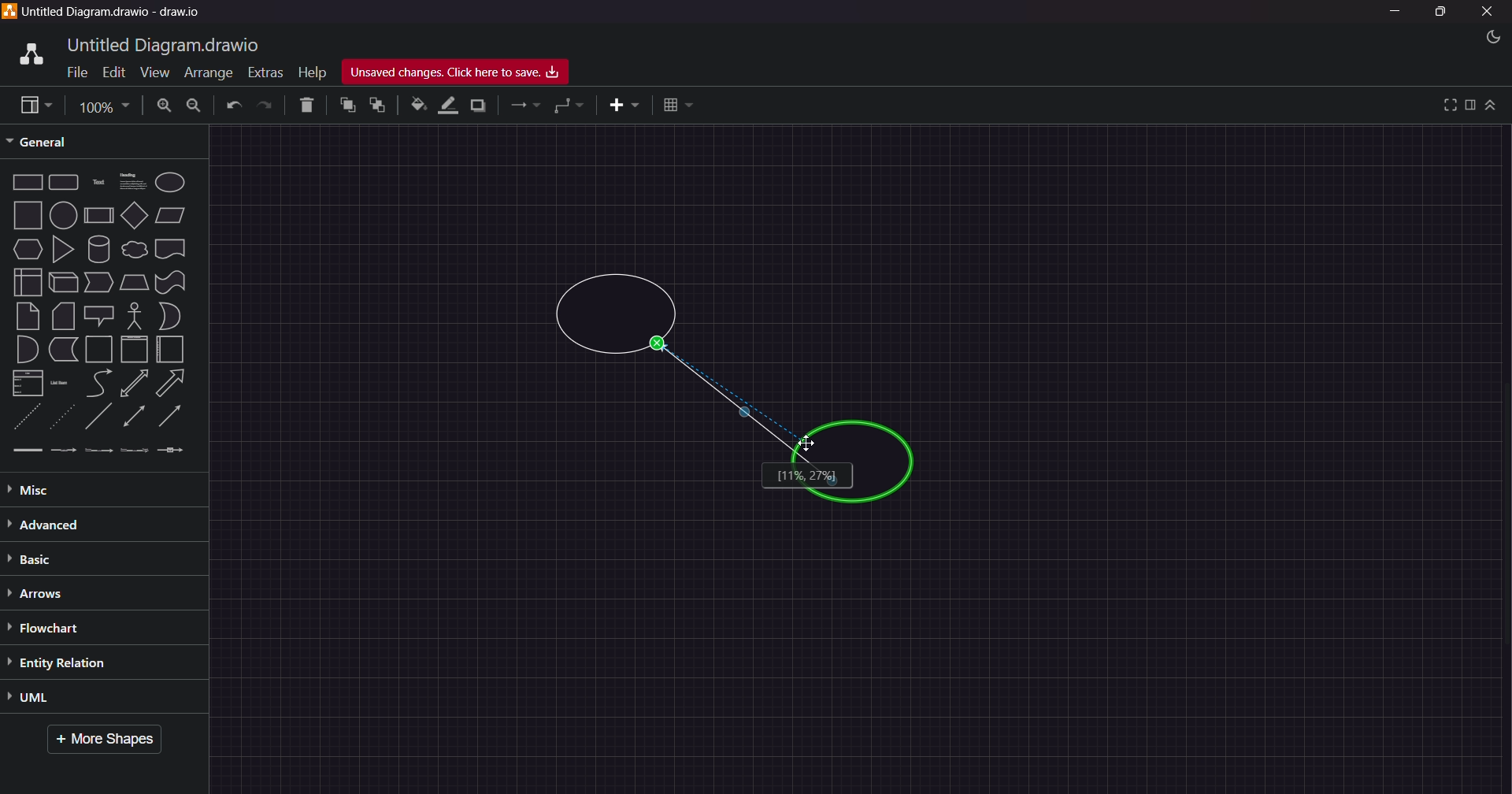  Describe the element at coordinates (148, 72) in the screenshot. I see `View` at that location.